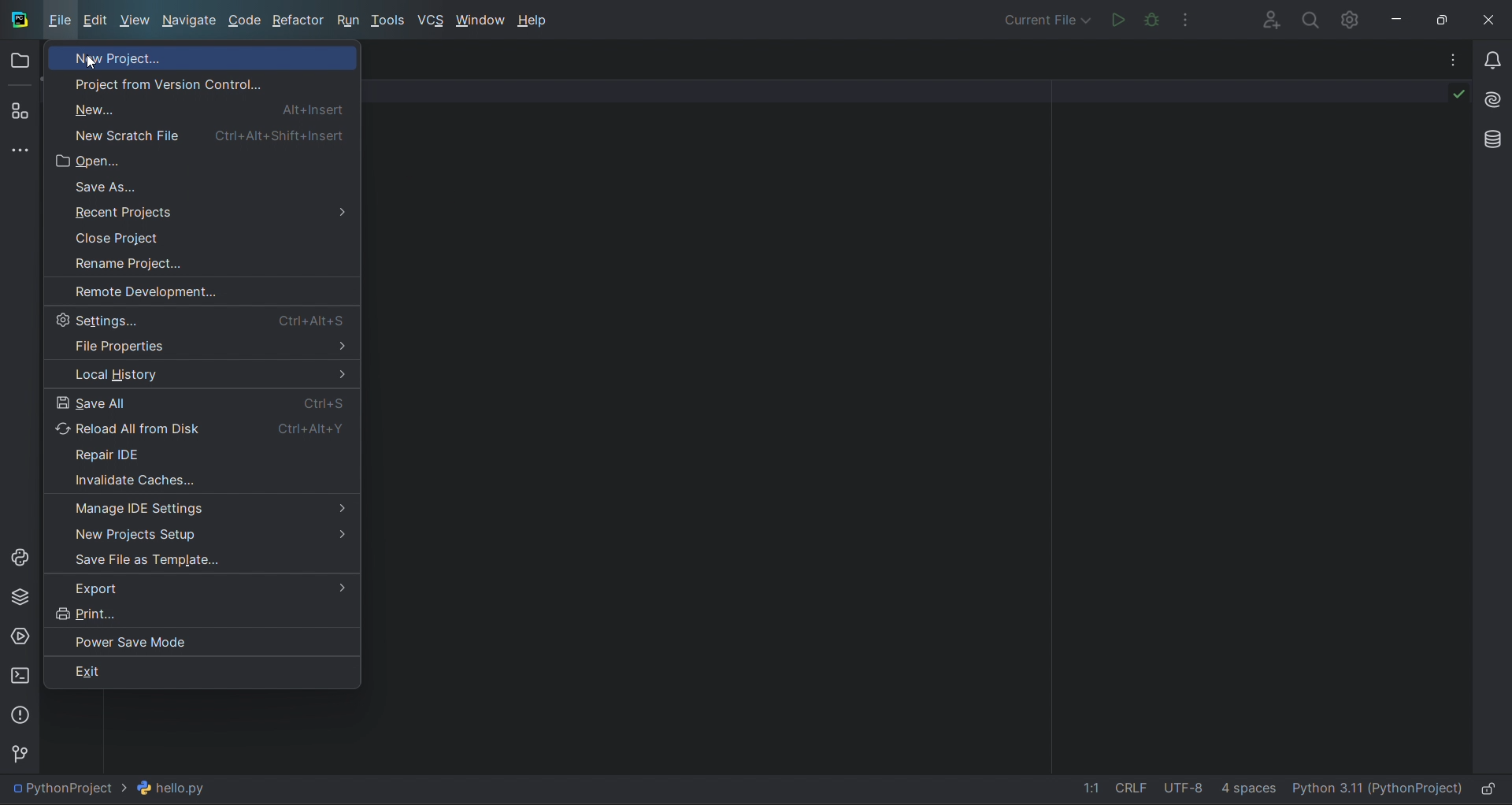  What do you see at coordinates (19, 19) in the screenshot?
I see `logo` at bounding box center [19, 19].